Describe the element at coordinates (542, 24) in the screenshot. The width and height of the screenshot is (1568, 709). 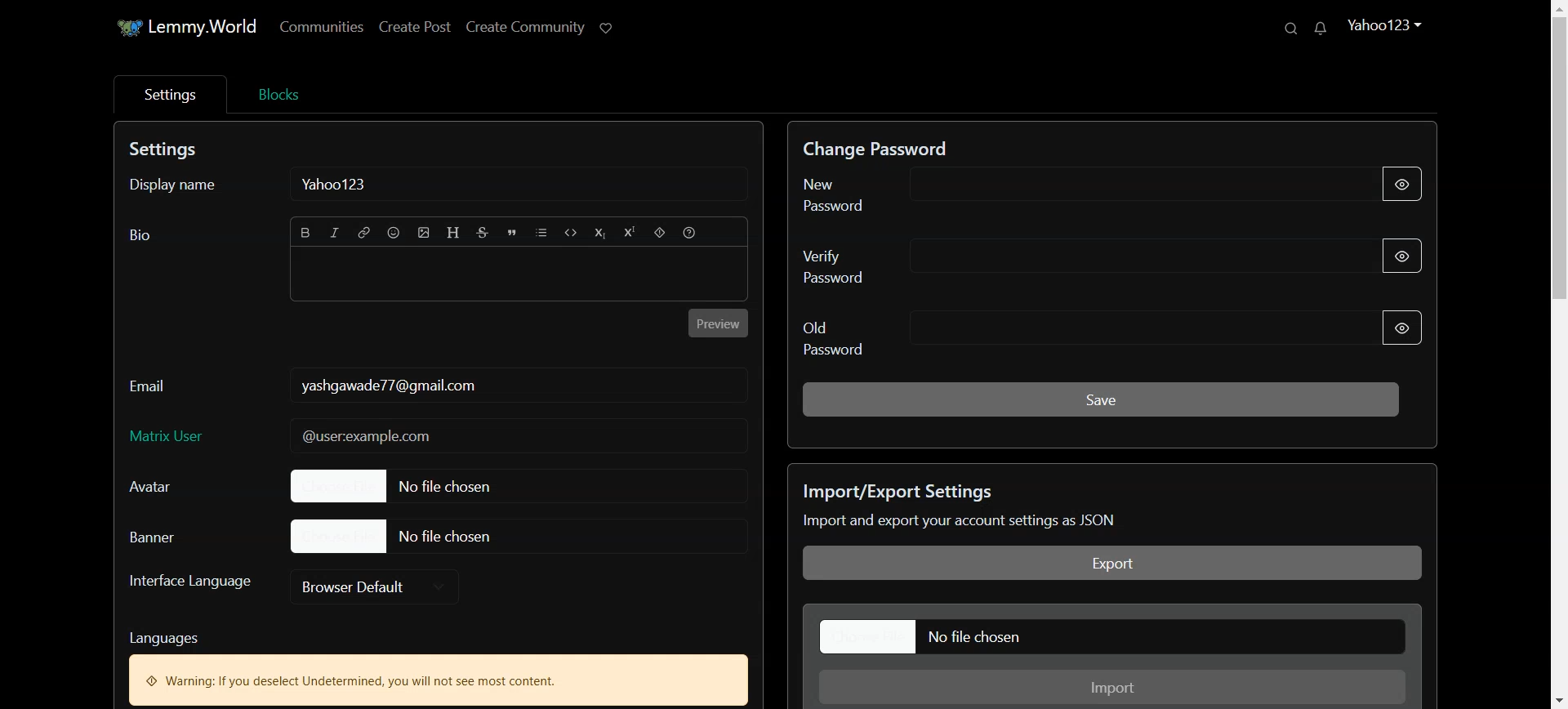
I see `Create Community ©` at that location.